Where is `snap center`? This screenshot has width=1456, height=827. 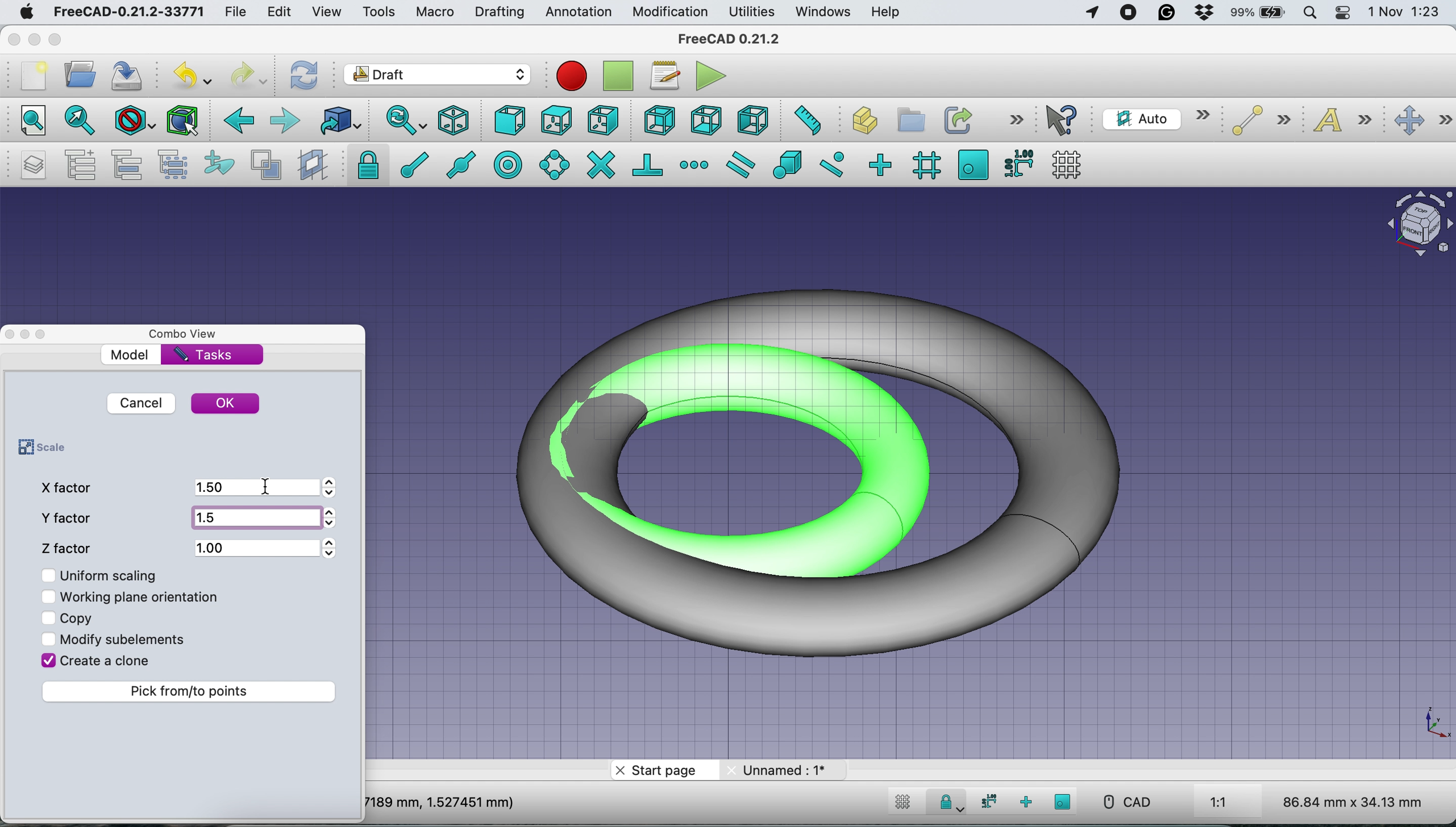
snap center is located at coordinates (509, 164).